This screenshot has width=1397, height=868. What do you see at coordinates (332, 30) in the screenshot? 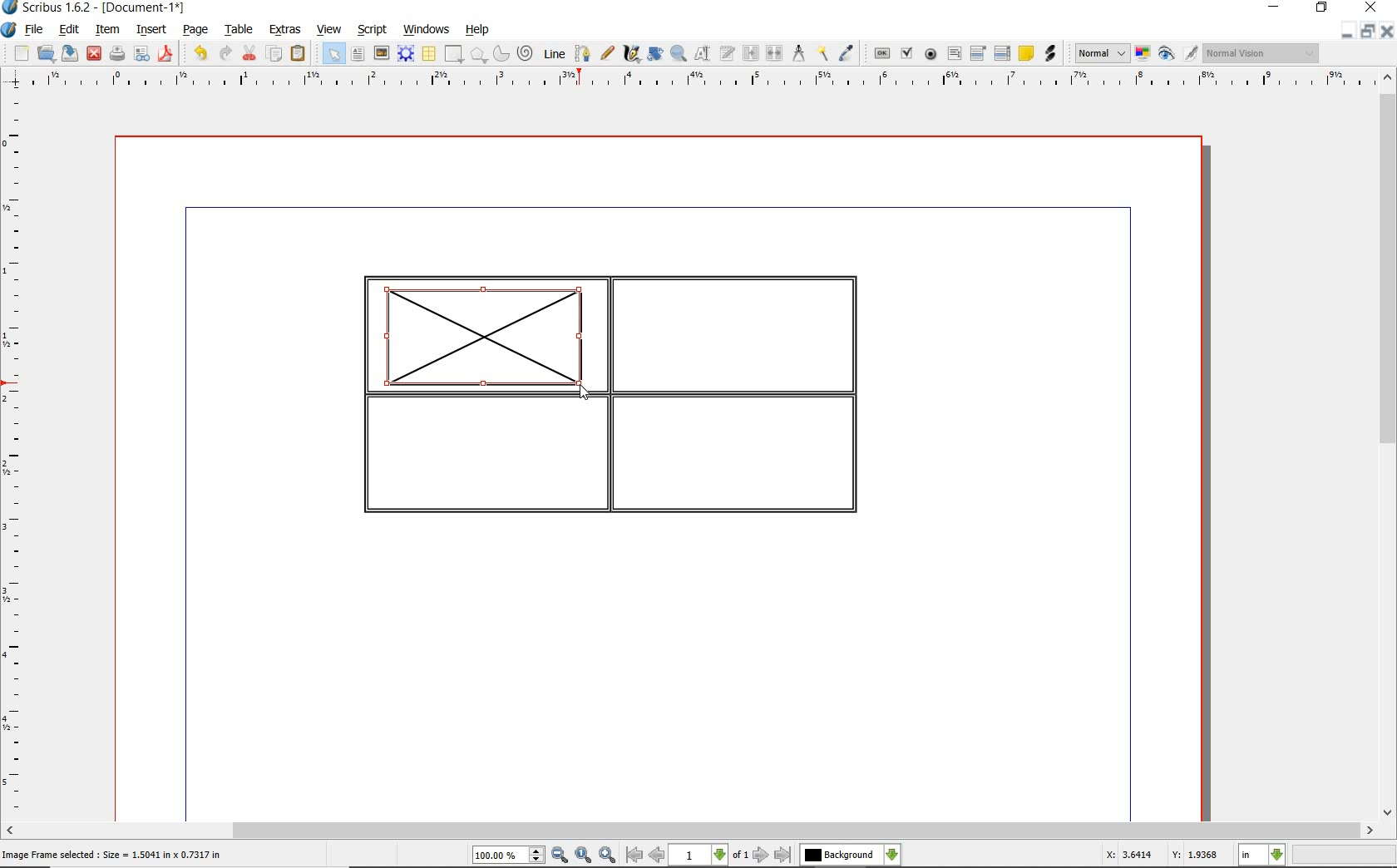
I see `view ` at bounding box center [332, 30].